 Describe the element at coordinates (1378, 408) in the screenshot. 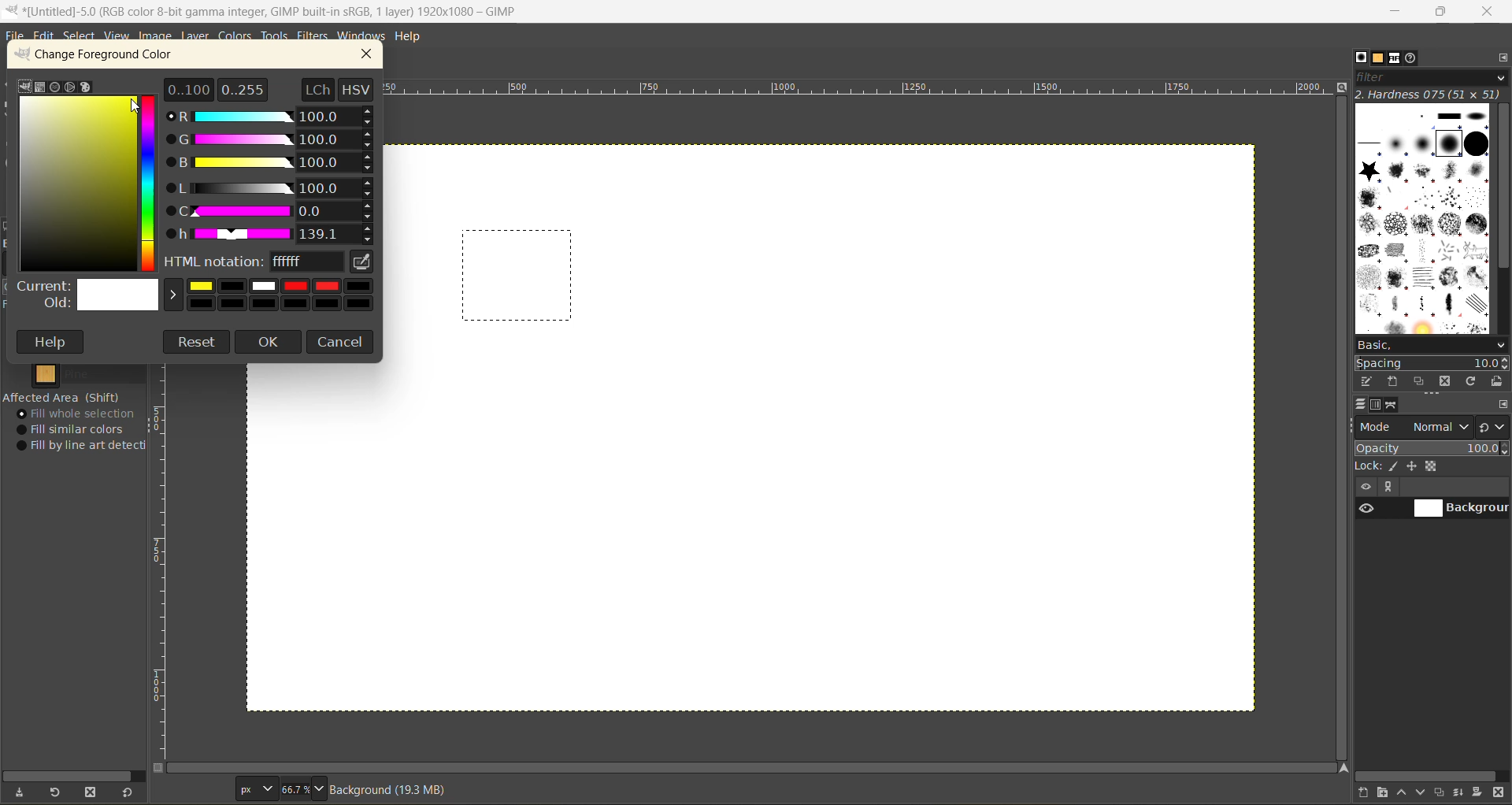

I see `channels` at that location.